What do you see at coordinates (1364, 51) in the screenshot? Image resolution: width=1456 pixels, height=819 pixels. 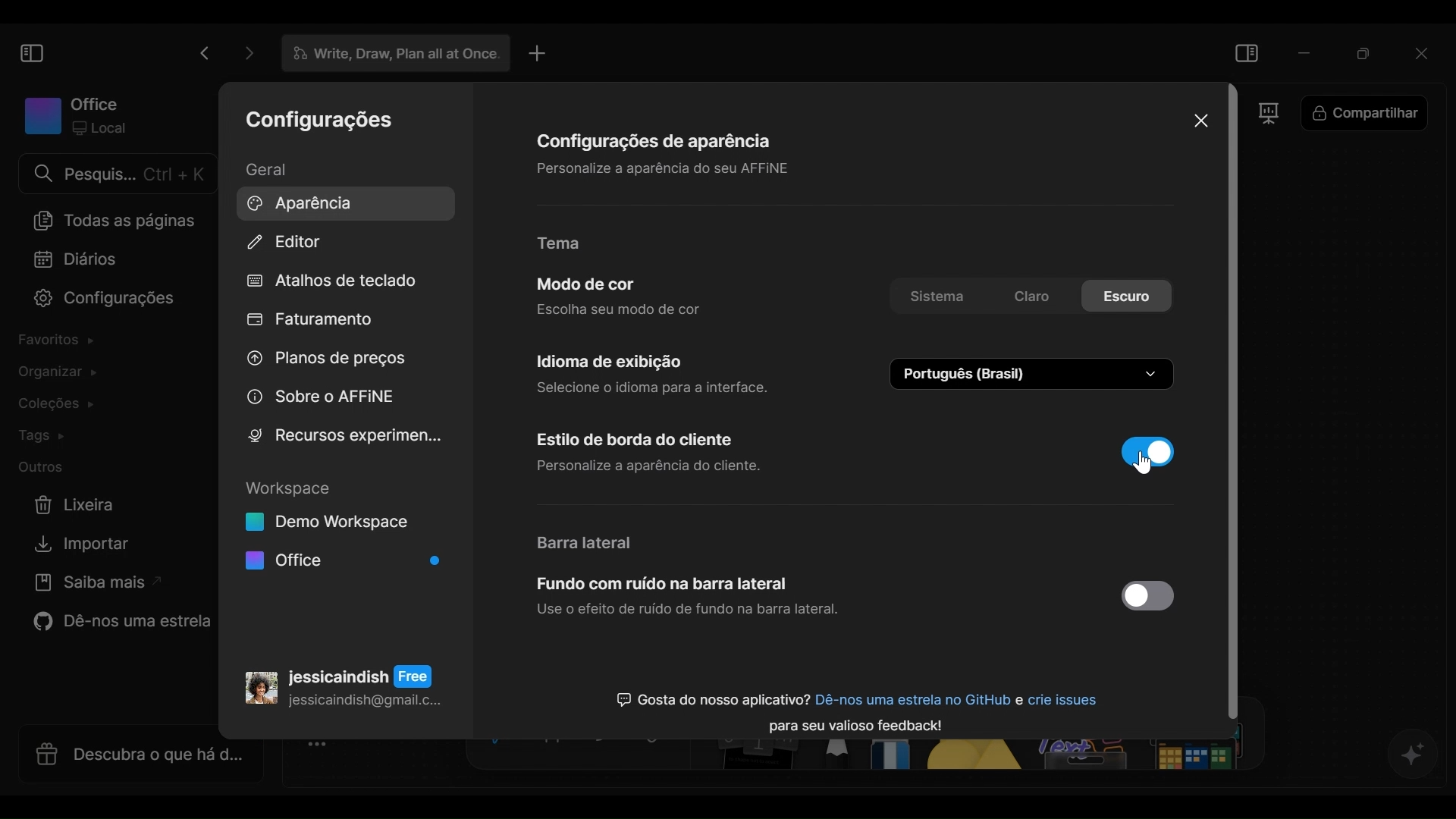 I see `Restore` at bounding box center [1364, 51].